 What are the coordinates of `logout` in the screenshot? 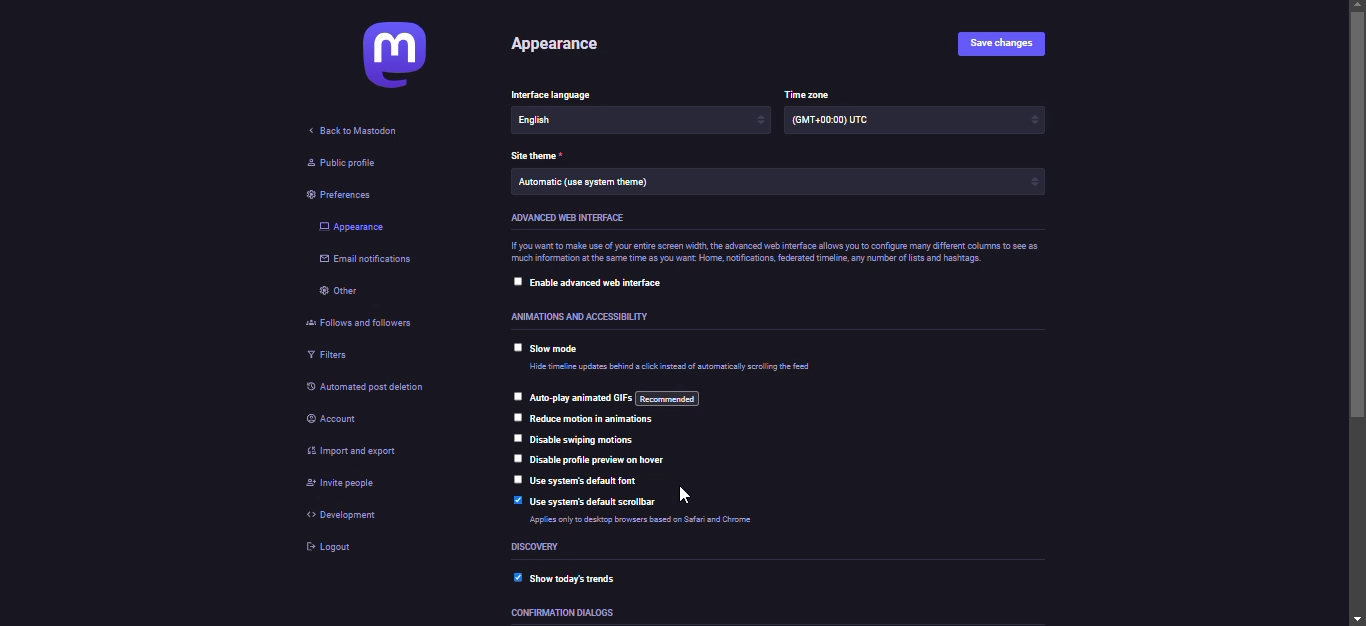 It's located at (325, 549).